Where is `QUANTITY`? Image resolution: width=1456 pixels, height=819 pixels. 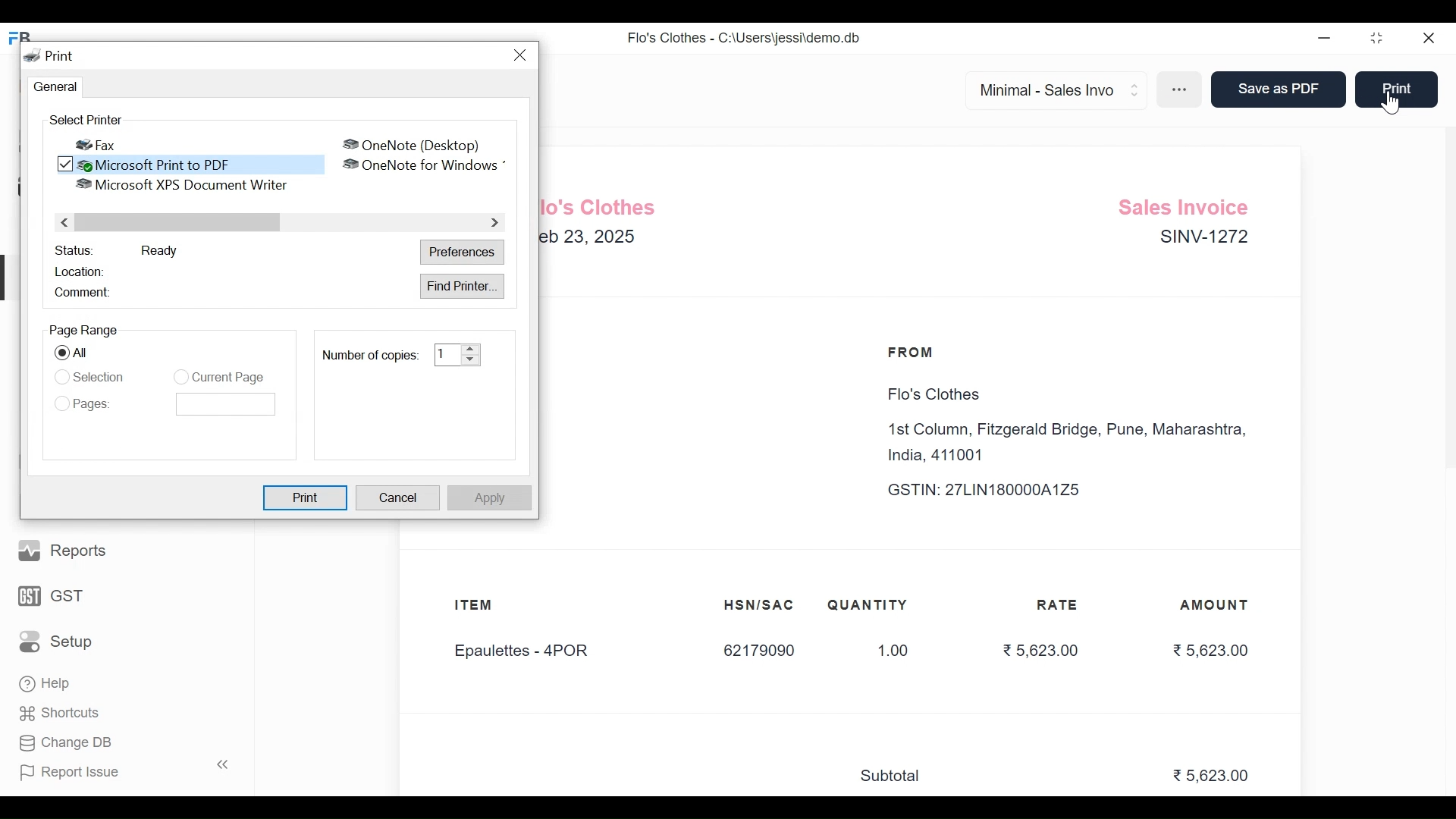
QUANTITY is located at coordinates (868, 605).